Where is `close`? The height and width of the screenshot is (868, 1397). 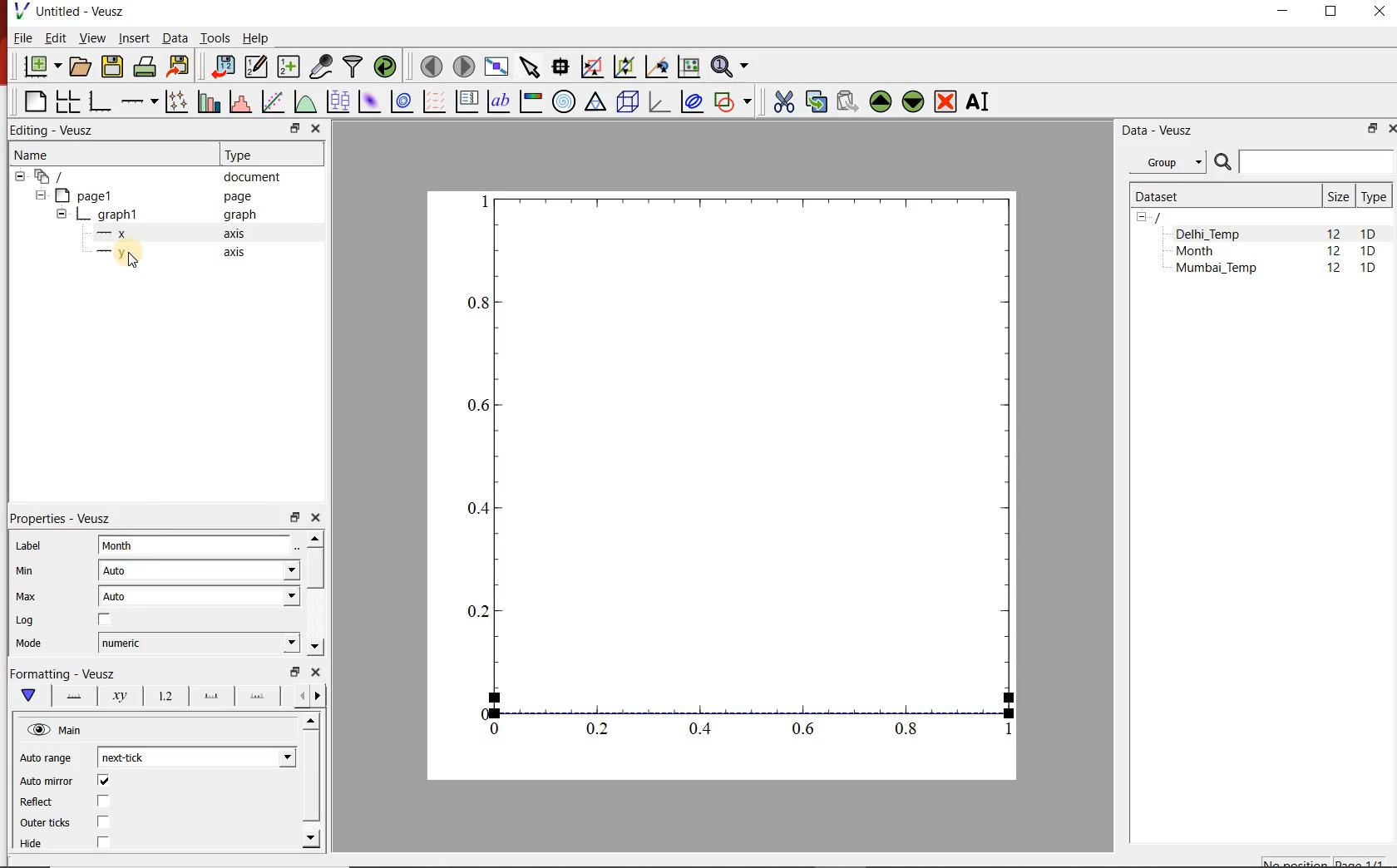
close is located at coordinates (315, 672).